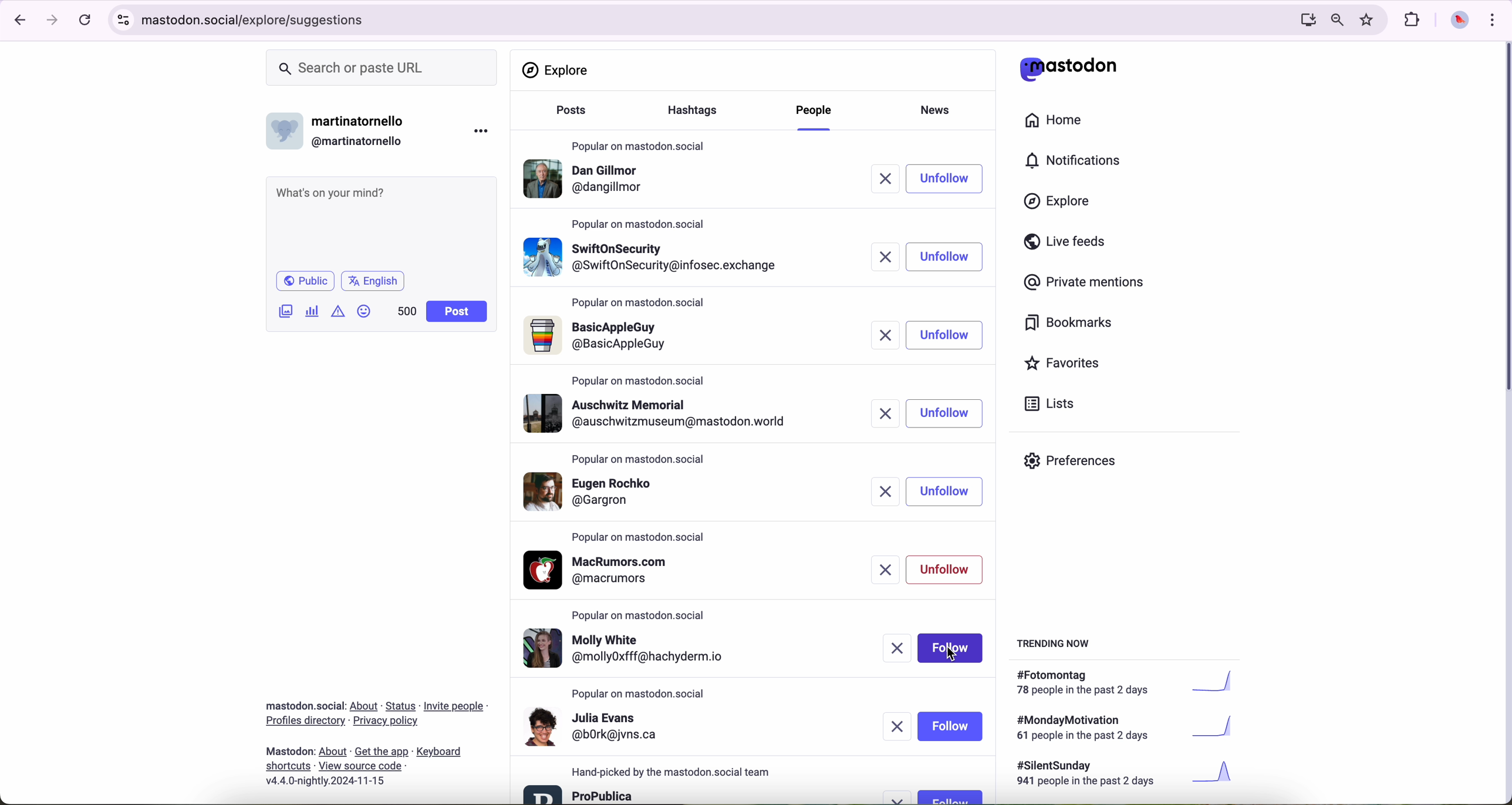 Image resolution: width=1512 pixels, height=805 pixels. What do you see at coordinates (124, 20) in the screenshot?
I see `controls` at bounding box center [124, 20].